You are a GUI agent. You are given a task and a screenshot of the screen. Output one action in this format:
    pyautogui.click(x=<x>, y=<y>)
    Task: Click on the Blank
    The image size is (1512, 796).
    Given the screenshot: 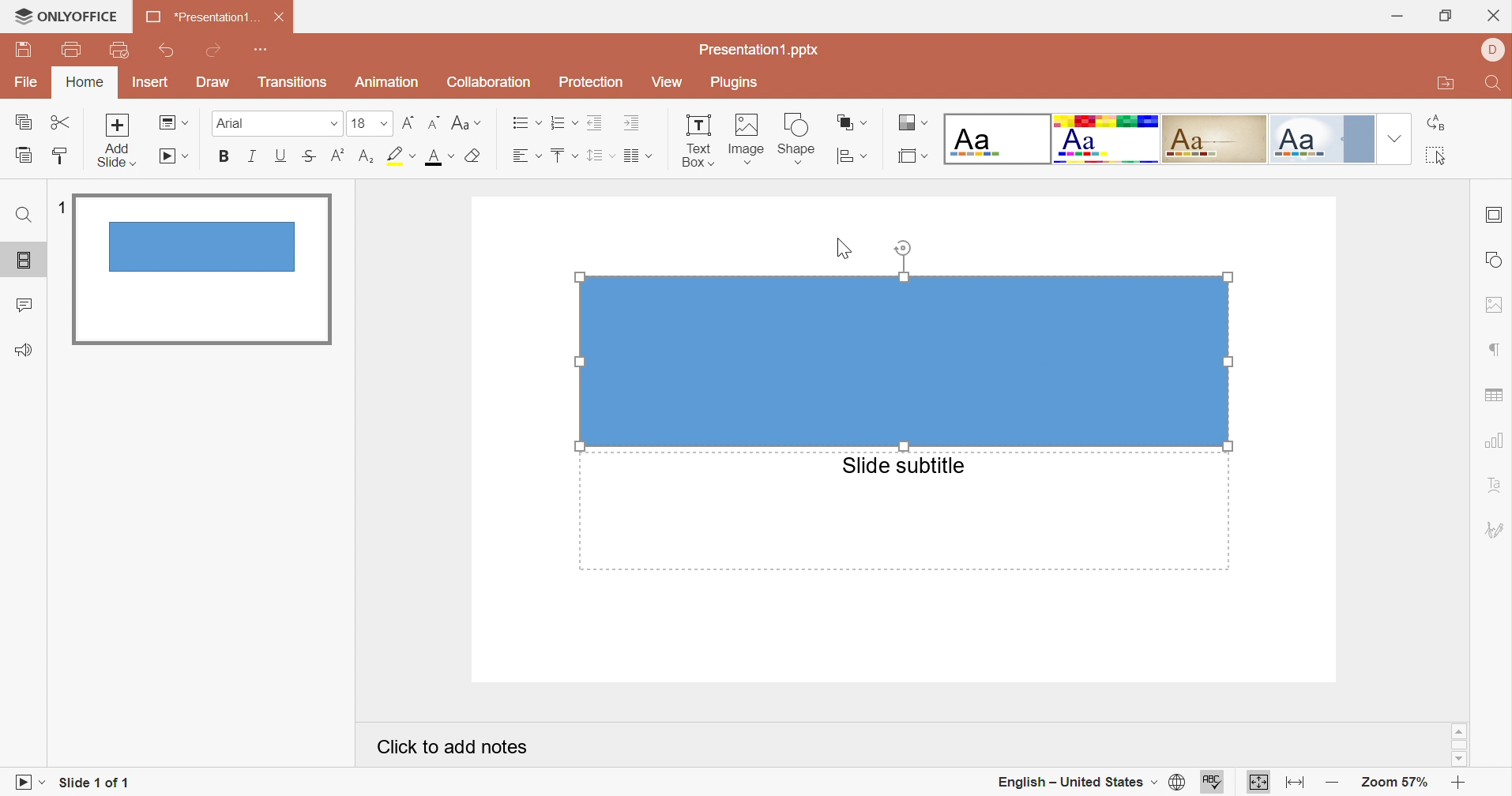 What is the action you would take?
    pyautogui.click(x=999, y=139)
    